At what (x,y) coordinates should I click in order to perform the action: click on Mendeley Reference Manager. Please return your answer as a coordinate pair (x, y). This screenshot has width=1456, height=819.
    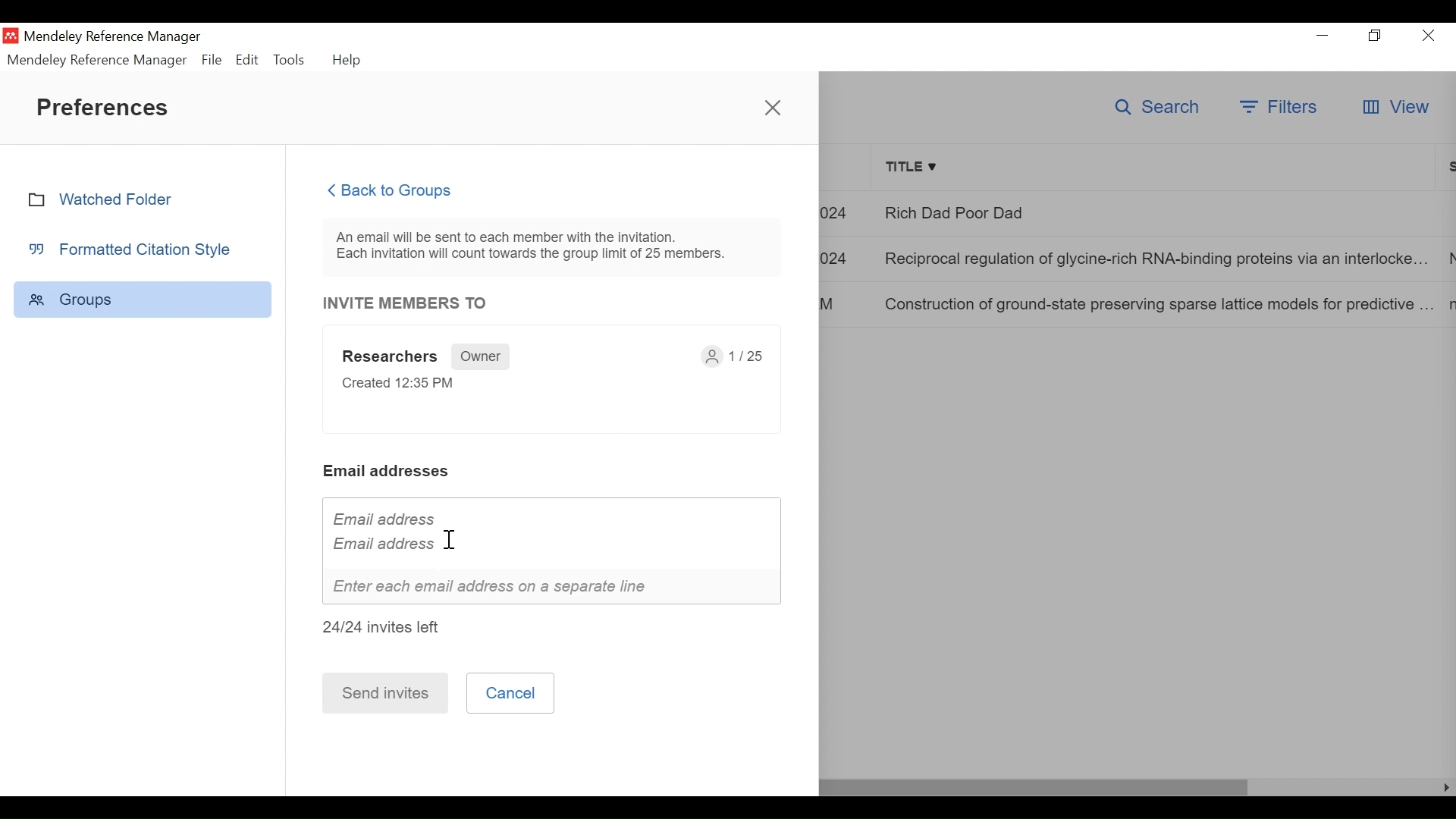
    Looking at the image, I should click on (98, 60).